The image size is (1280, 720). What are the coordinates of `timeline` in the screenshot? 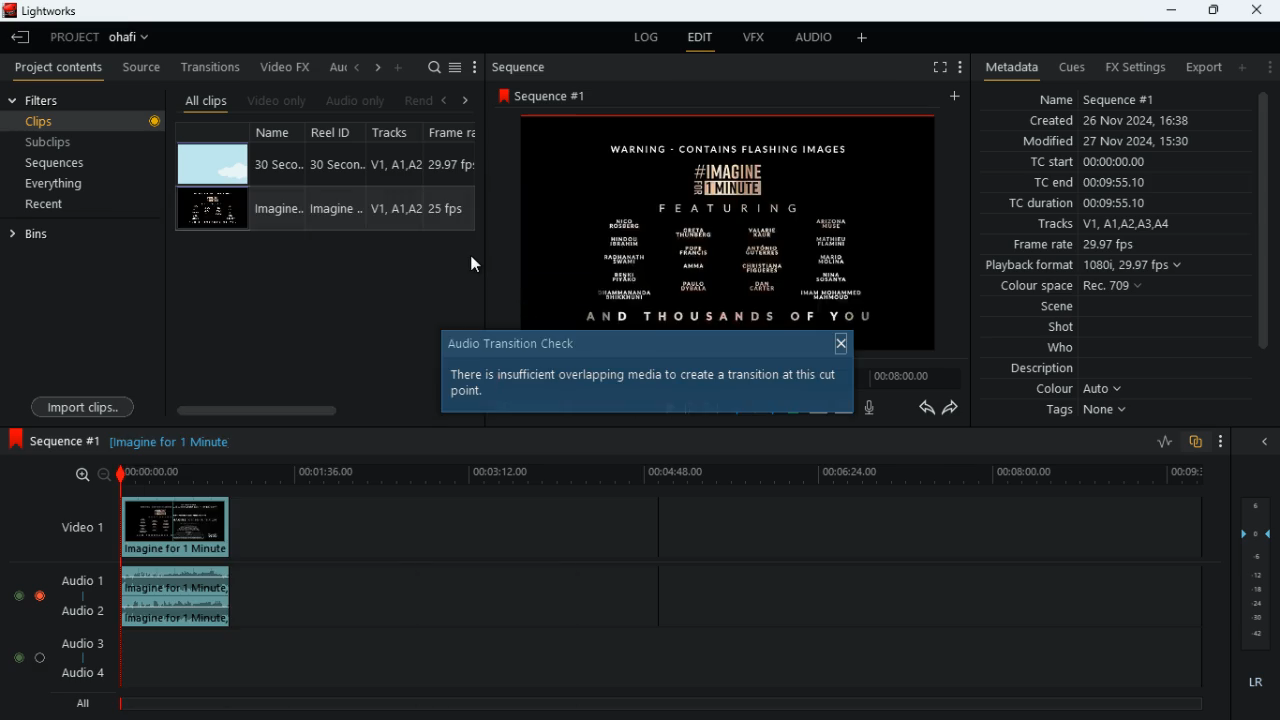 It's located at (659, 702).